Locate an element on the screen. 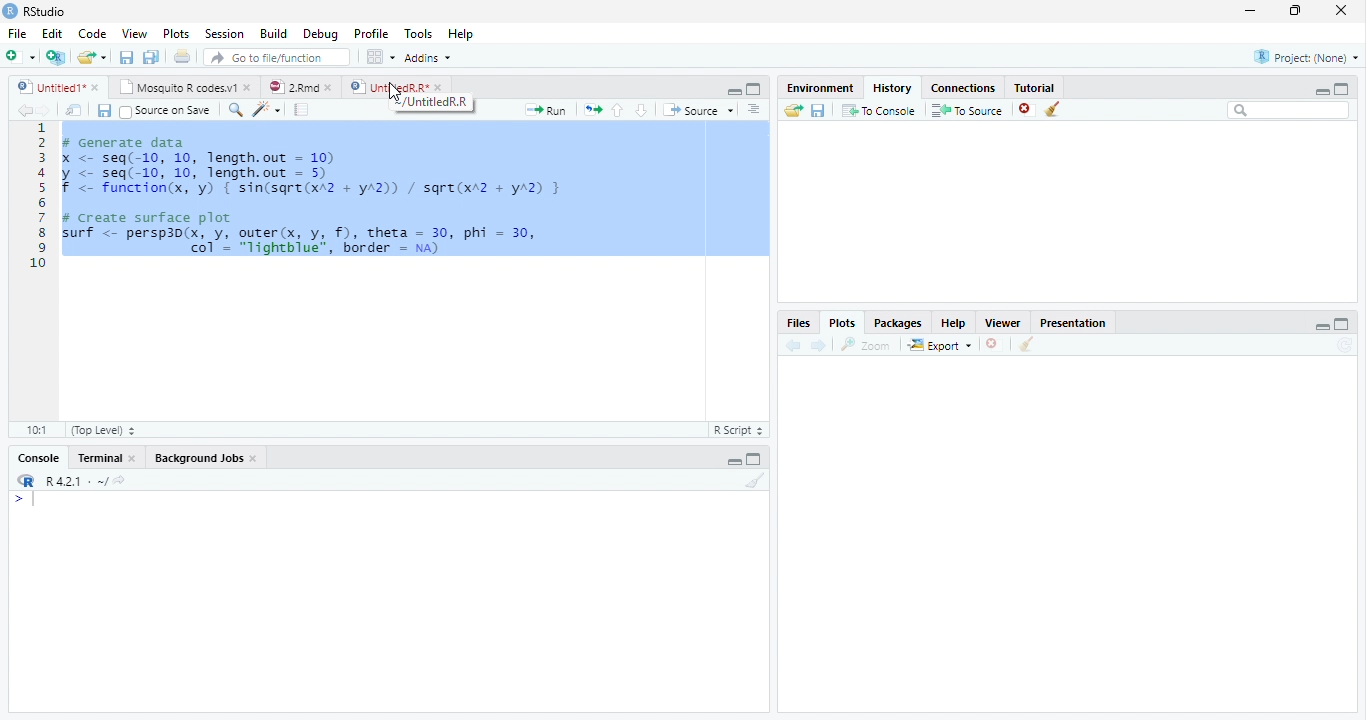  Refresh current plot is located at coordinates (1347, 345).